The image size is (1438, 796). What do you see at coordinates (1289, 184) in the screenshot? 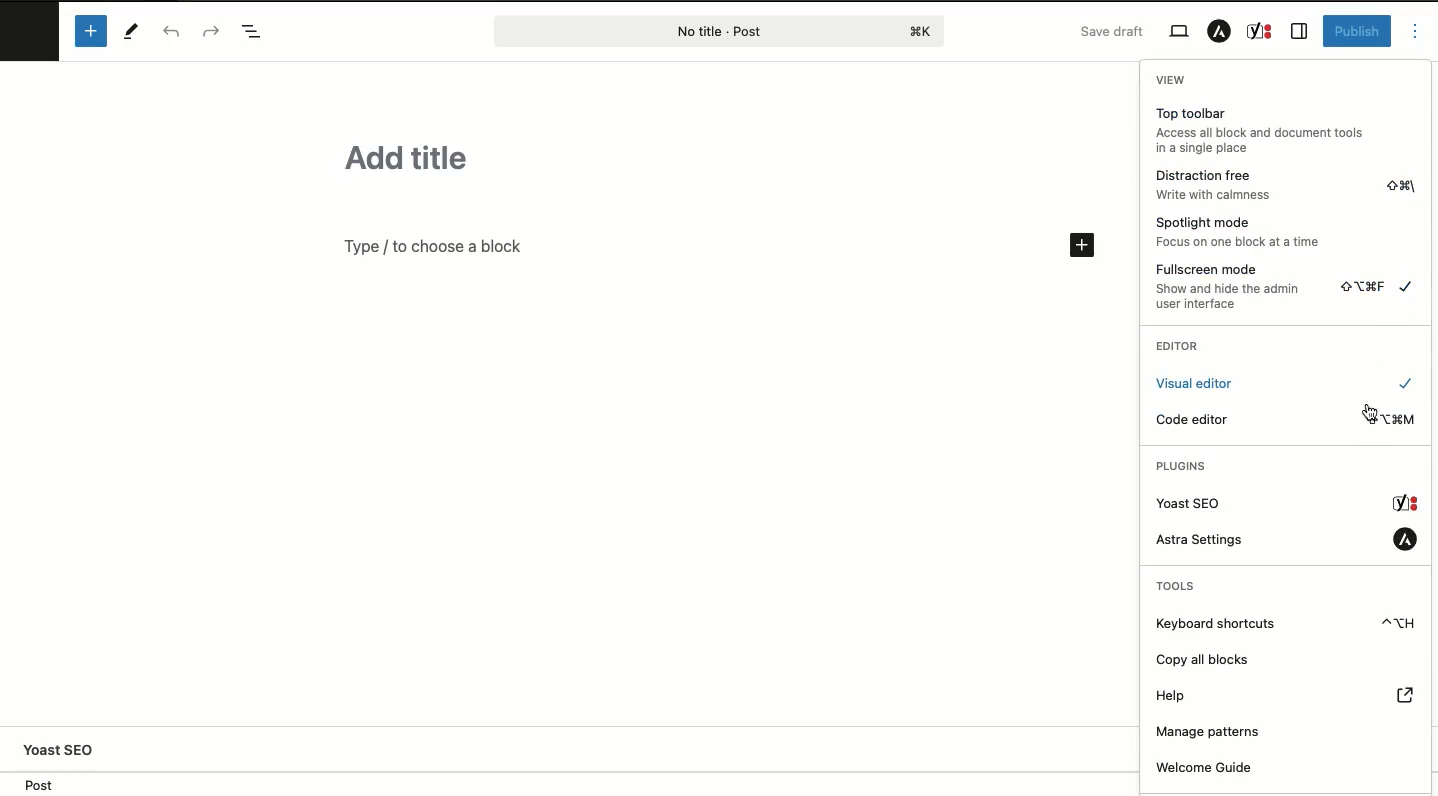
I see `Distraction free` at bounding box center [1289, 184].